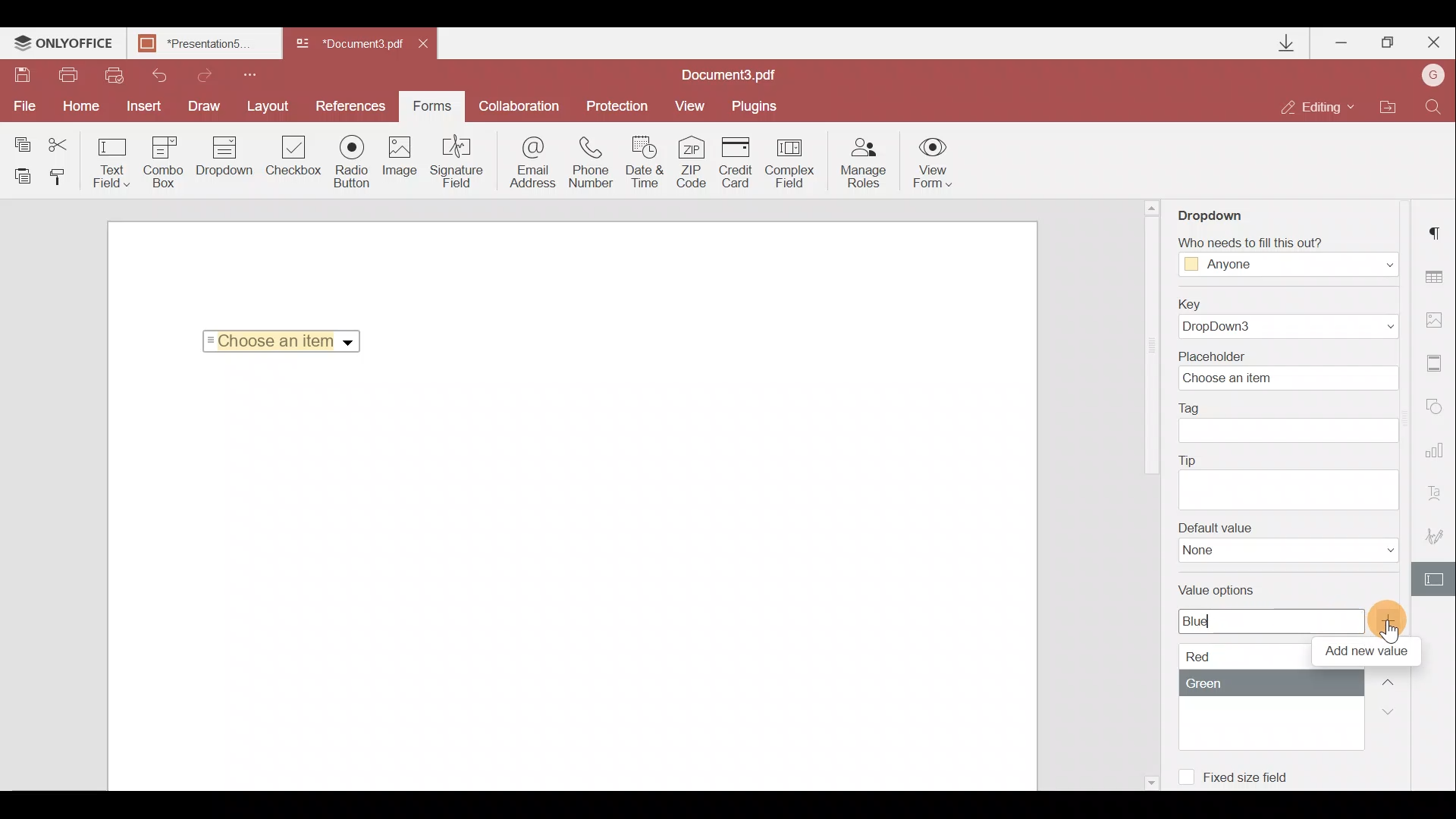  What do you see at coordinates (1432, 43) in the screenshot?
I see `Close` at bounding box center [1432, 43].